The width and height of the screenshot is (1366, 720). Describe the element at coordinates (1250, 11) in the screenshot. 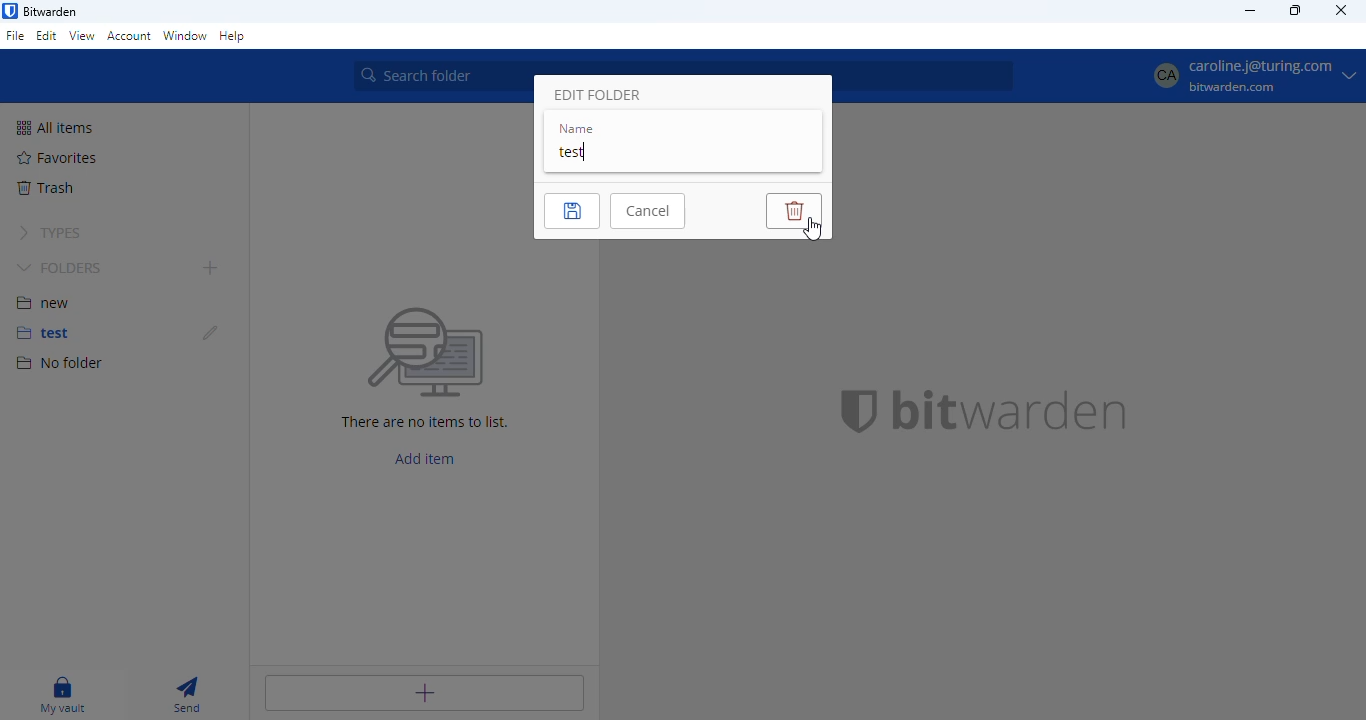

I see `minimize` at that location.